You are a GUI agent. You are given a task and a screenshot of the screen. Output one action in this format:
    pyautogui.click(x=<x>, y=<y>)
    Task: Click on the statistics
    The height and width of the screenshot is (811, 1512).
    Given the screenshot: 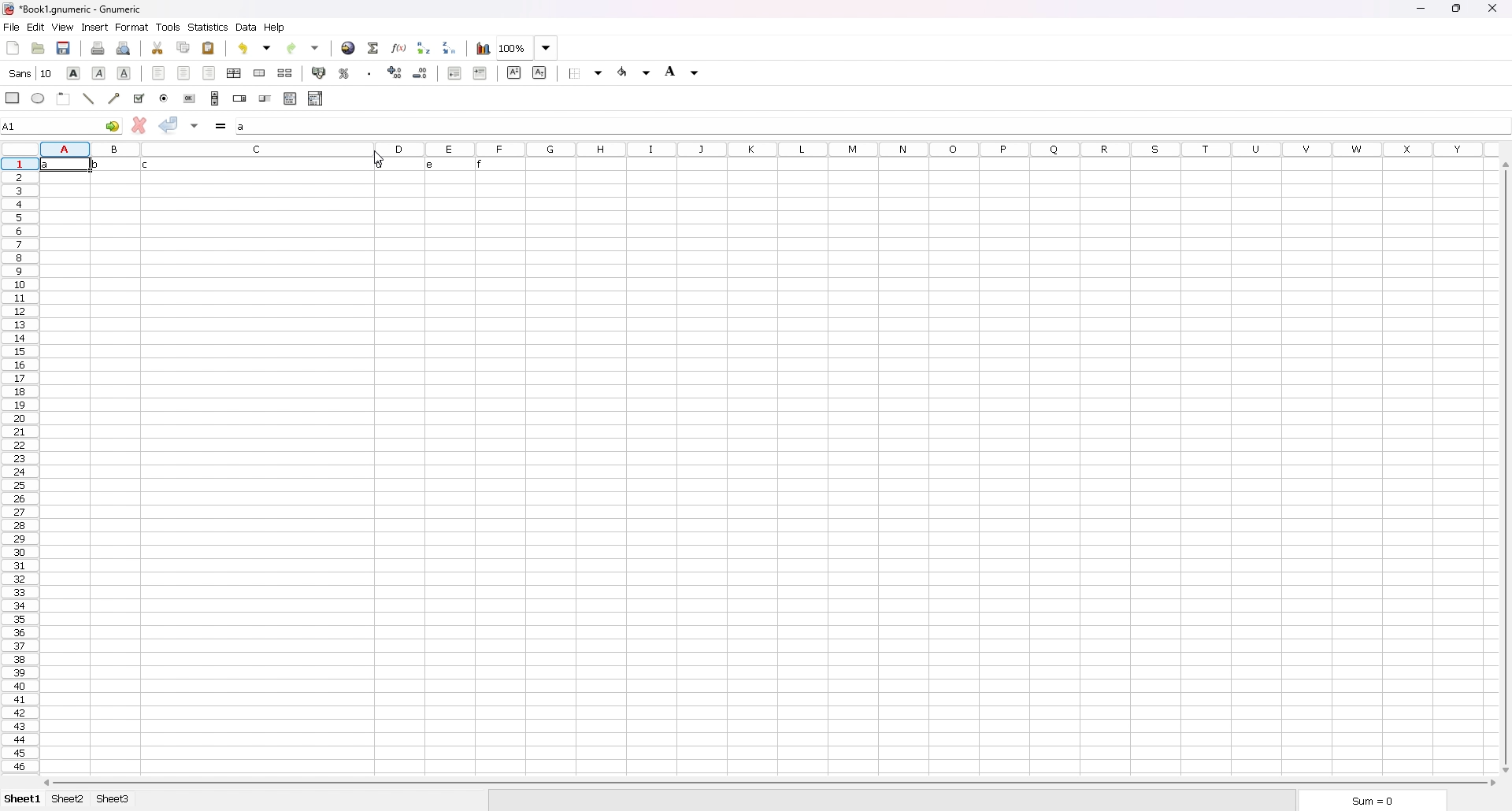 What is the action you would take?
    pyautogui.click(x=209, y=27)
    